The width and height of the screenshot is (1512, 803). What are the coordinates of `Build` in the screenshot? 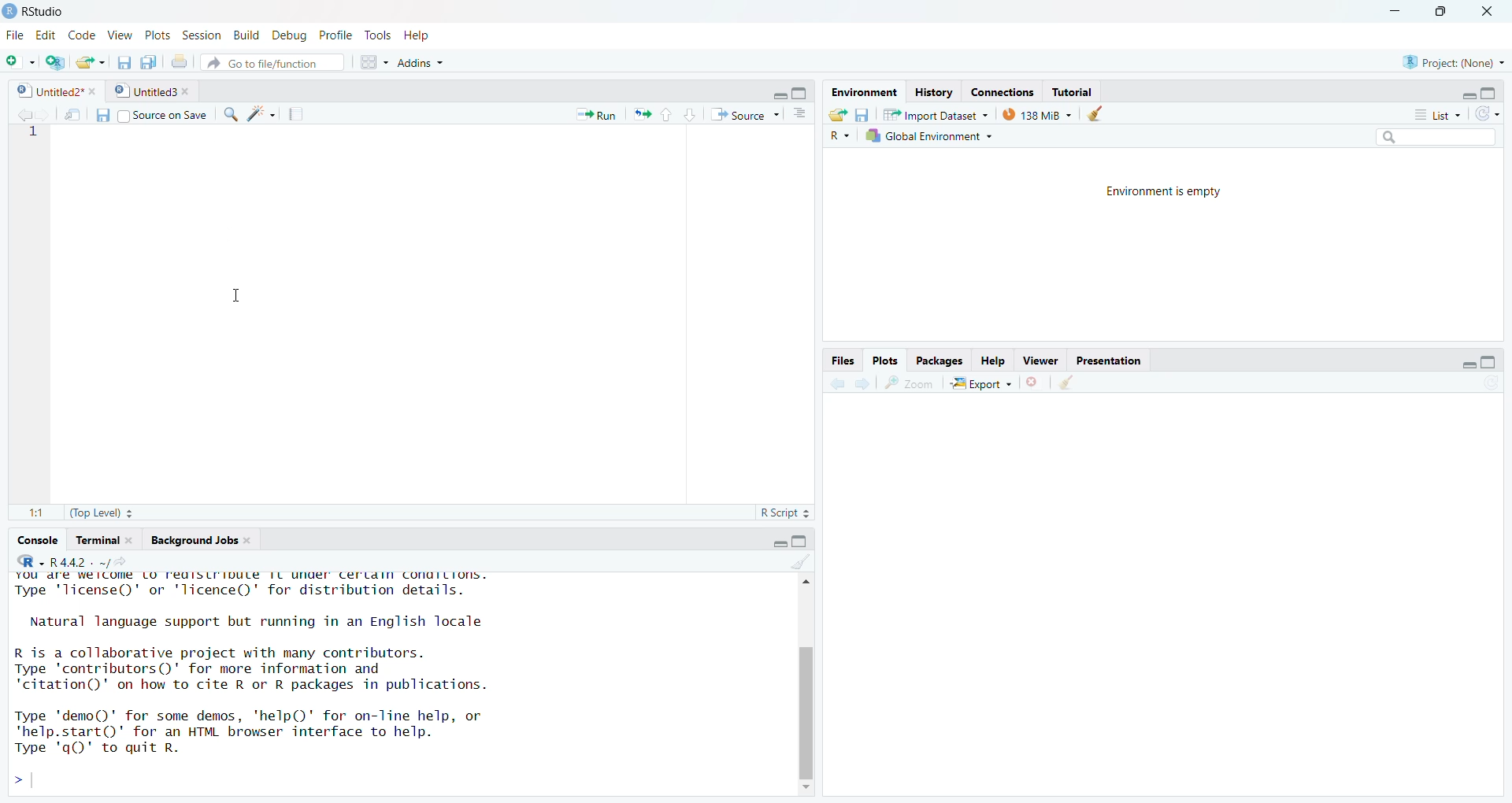 It's located at (243, 33).